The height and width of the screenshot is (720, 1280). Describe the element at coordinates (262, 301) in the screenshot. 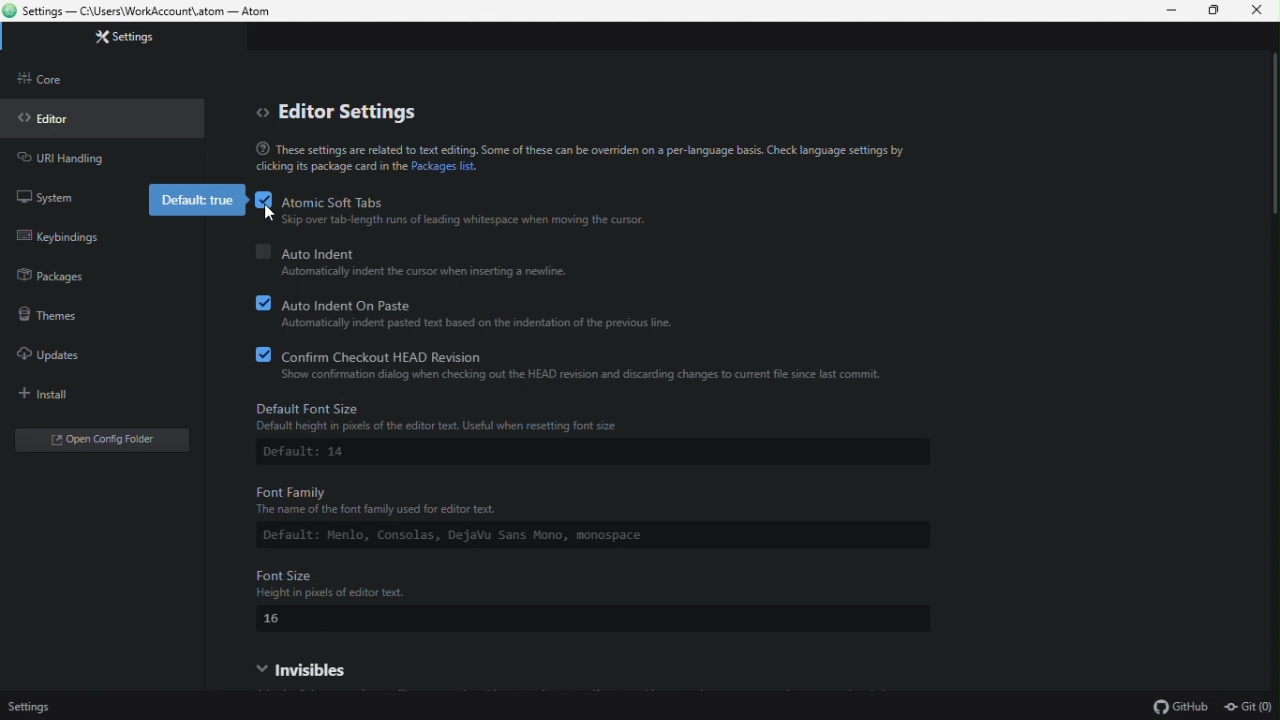

I see `on` at that location.